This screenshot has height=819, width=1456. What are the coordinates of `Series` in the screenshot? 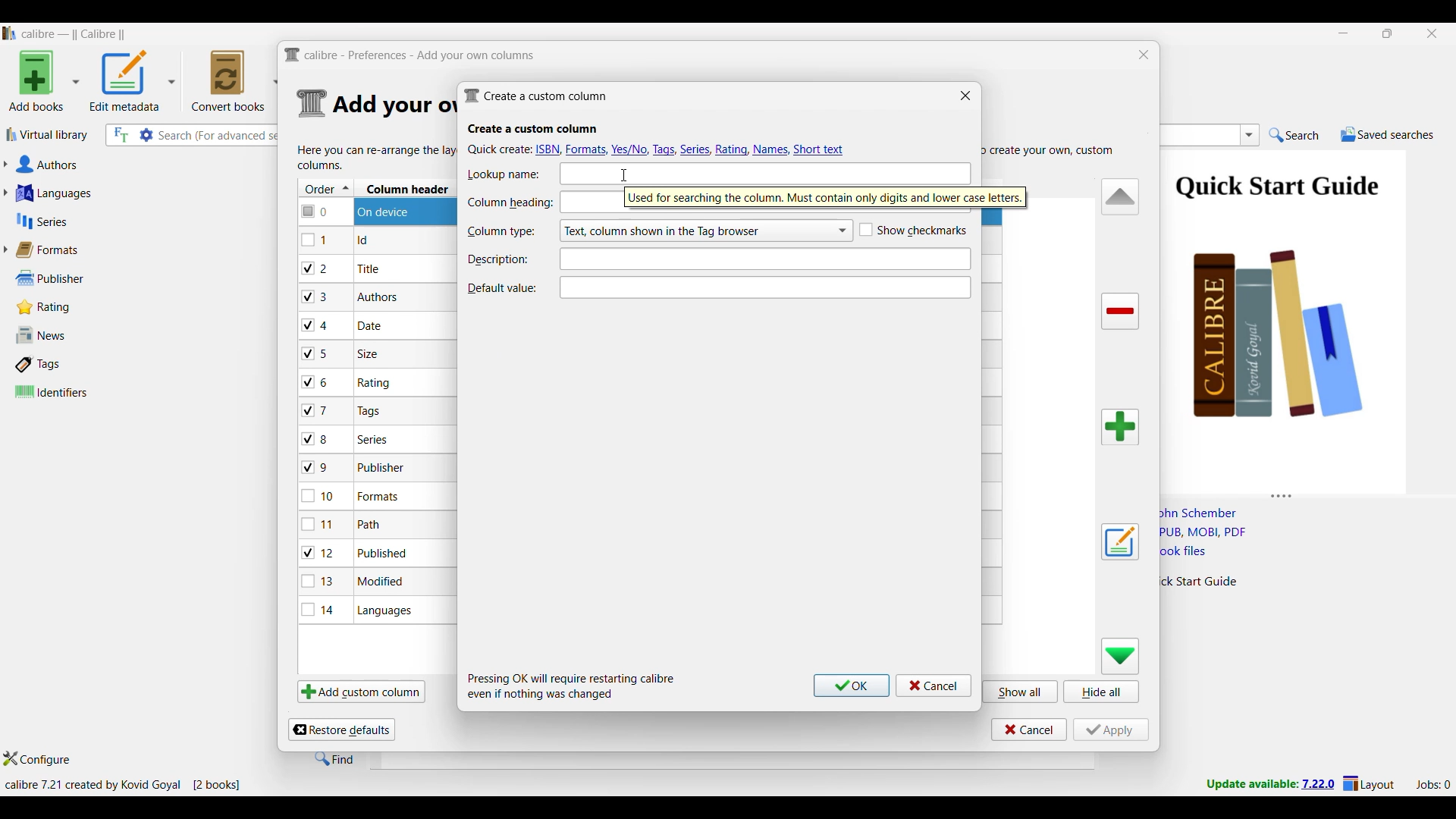 It's located at (114, 221).